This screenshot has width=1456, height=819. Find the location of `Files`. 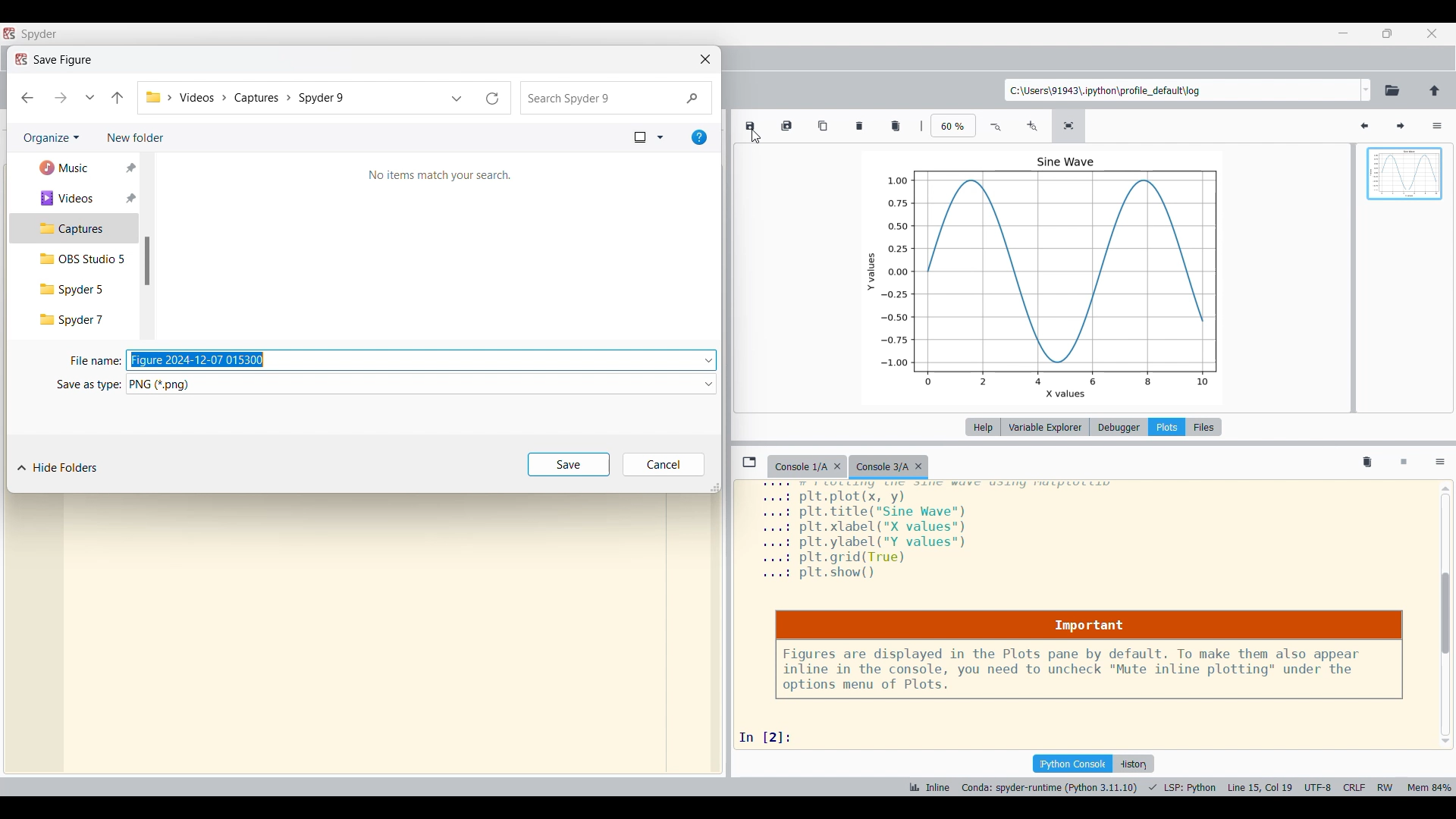

Files is located at coordinates (1204, 427).